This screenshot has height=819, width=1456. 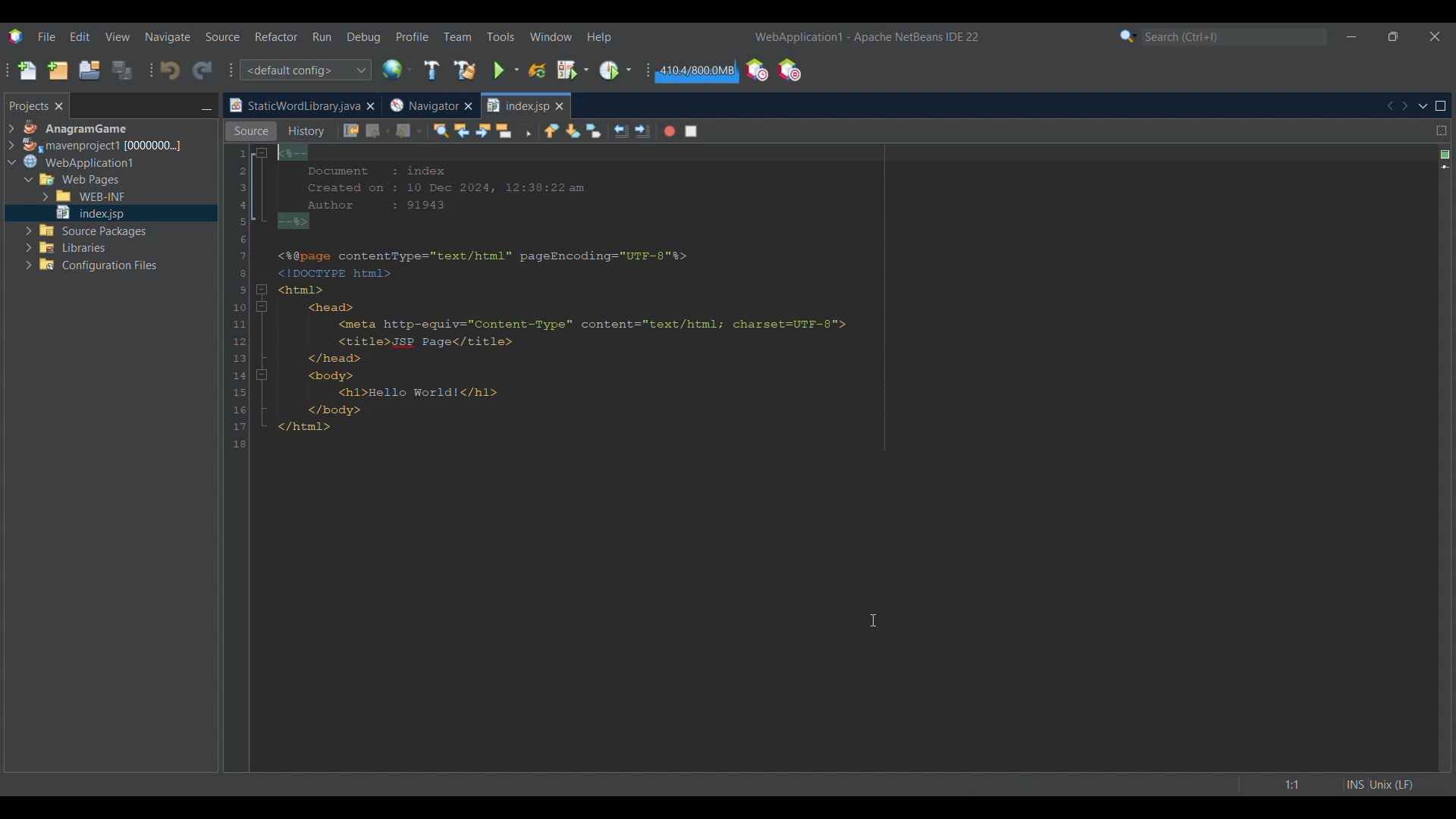 What do you see at coordinates (202, 70) in the screenshot?
I see `Redo` at bounding box center [202, 70].